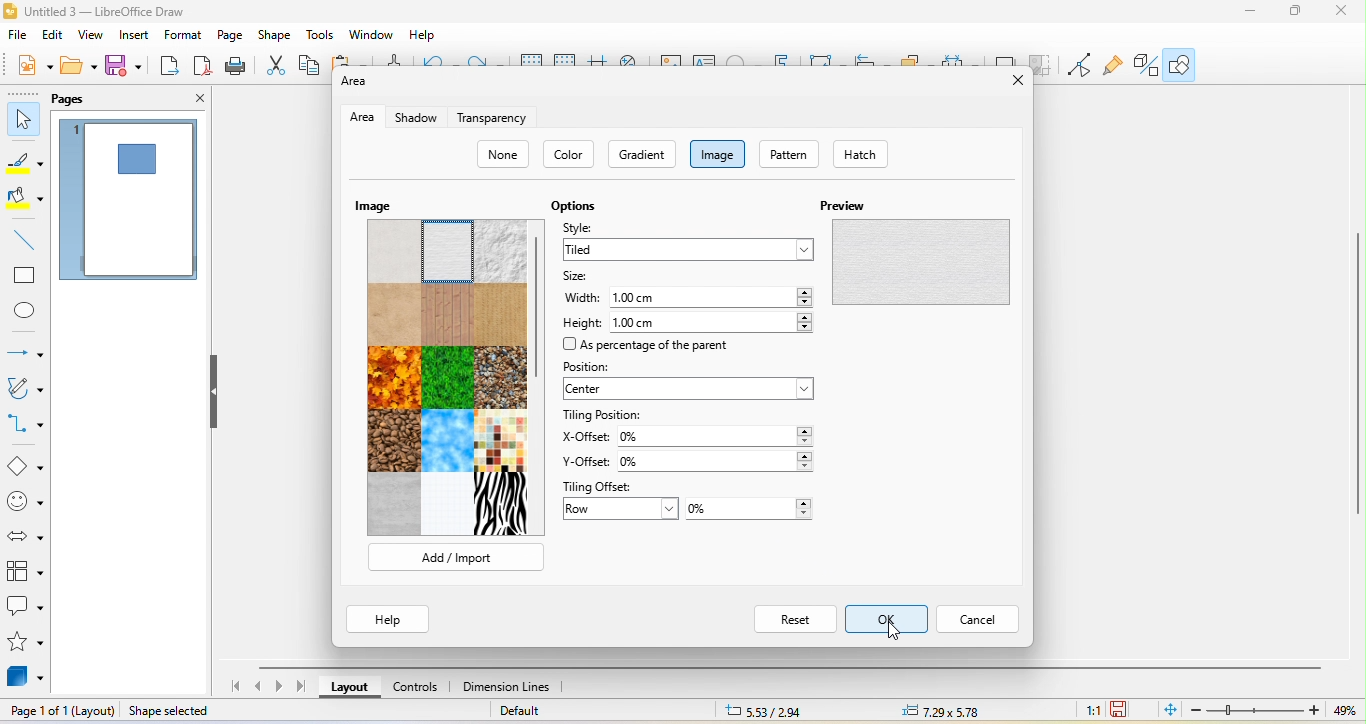 The width and height of the screenshot is (1366, 724). I want to click on 5.33/2.94, so click(763, 711).